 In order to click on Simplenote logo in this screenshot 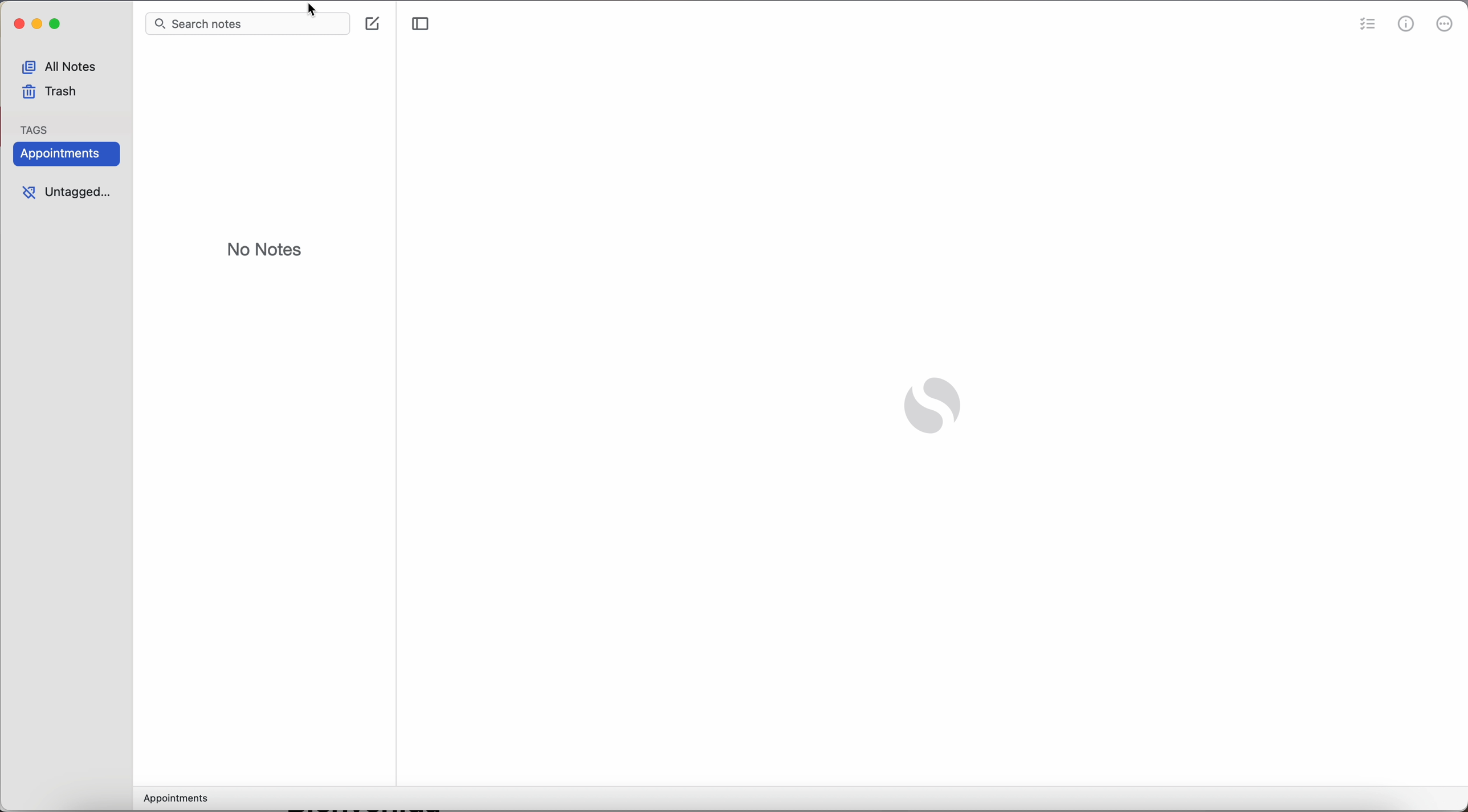, I will do `click(930, 408)`.